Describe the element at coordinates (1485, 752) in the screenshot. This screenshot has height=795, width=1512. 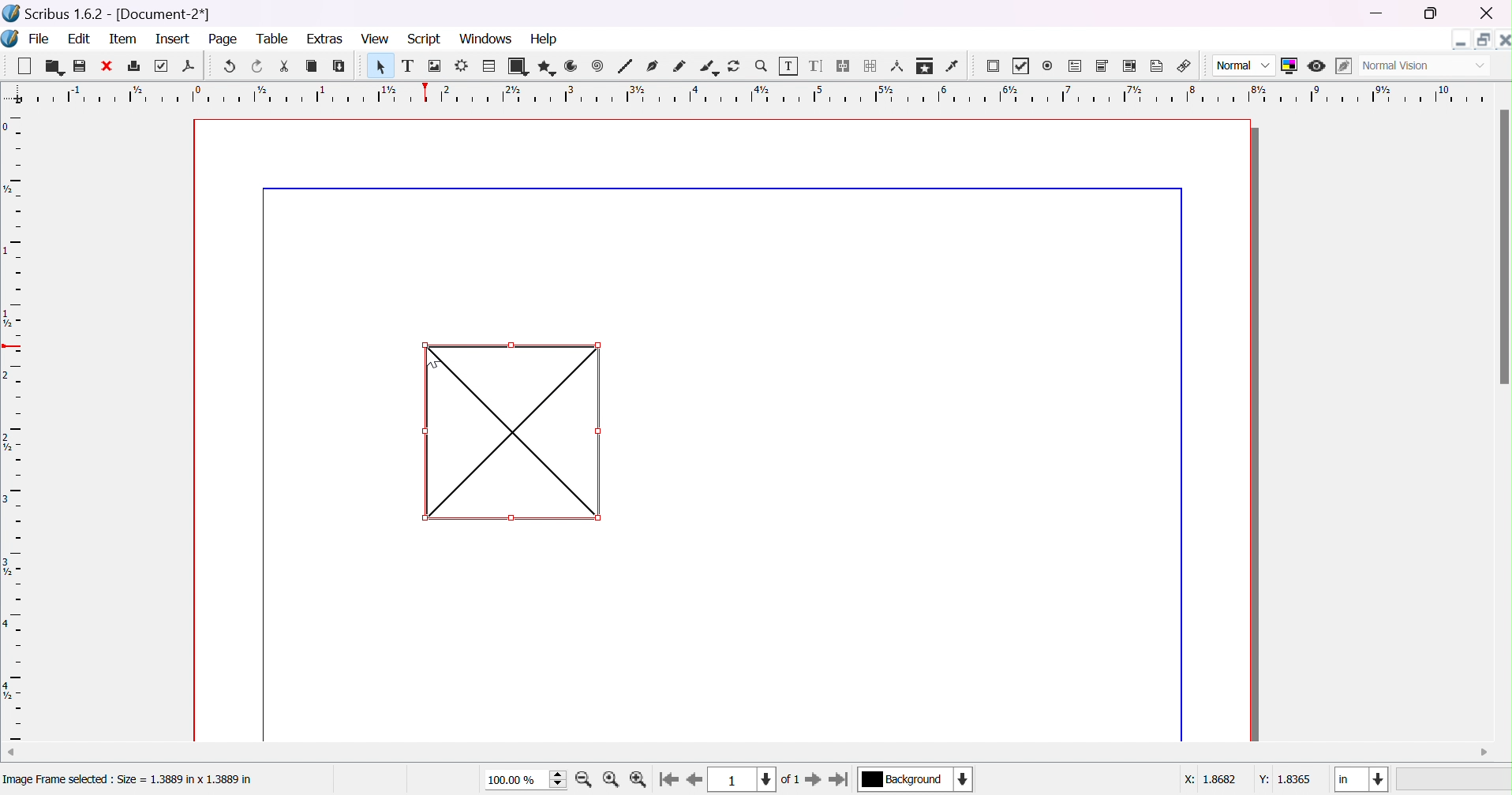
I see `scroll right` at that location.